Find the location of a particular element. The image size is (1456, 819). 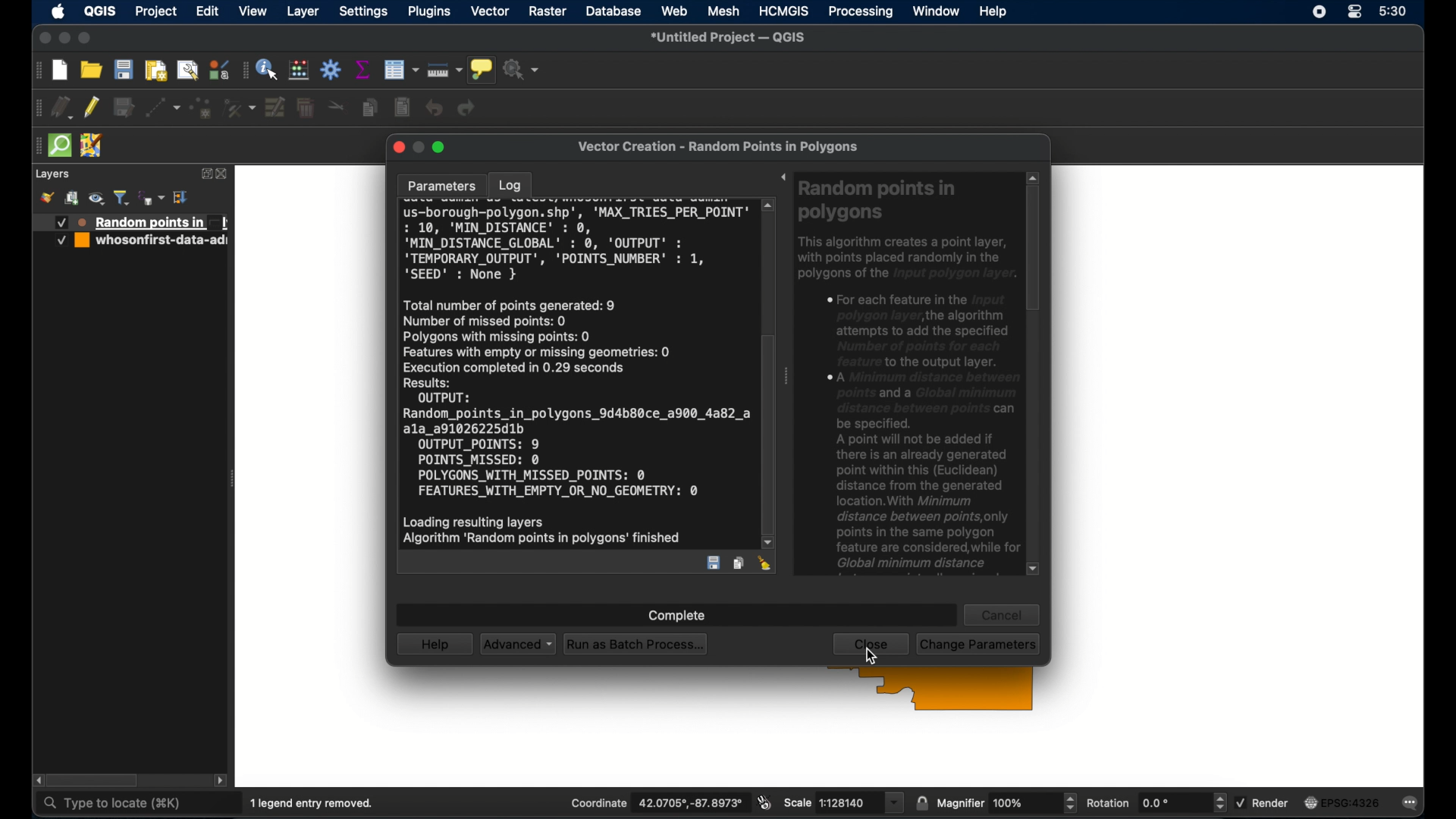

settings is located at coordinates (366, 11).